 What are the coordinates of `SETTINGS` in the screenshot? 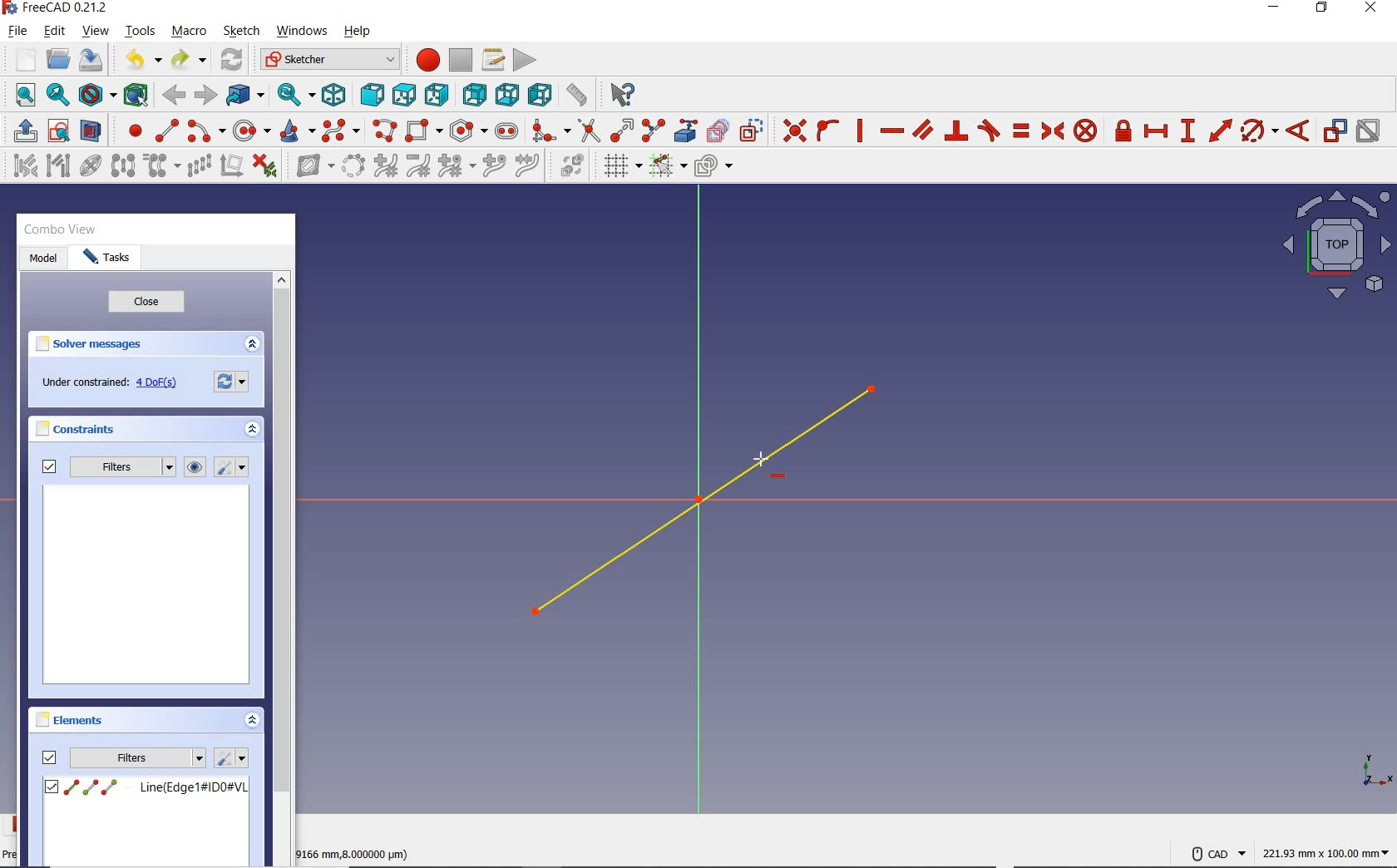 It's located at (229, 382).